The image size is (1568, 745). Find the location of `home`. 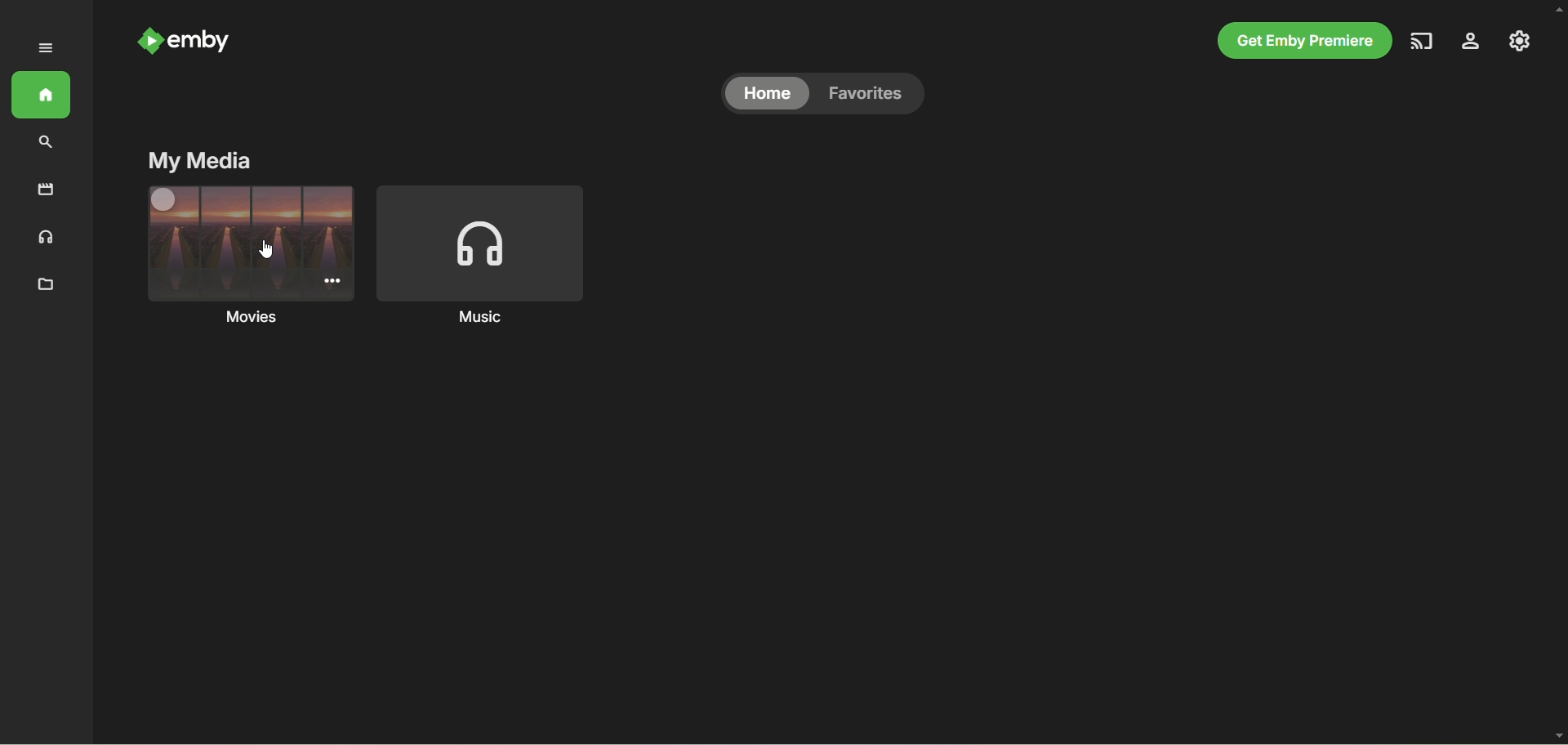

home is located at coordinates (42, 96).